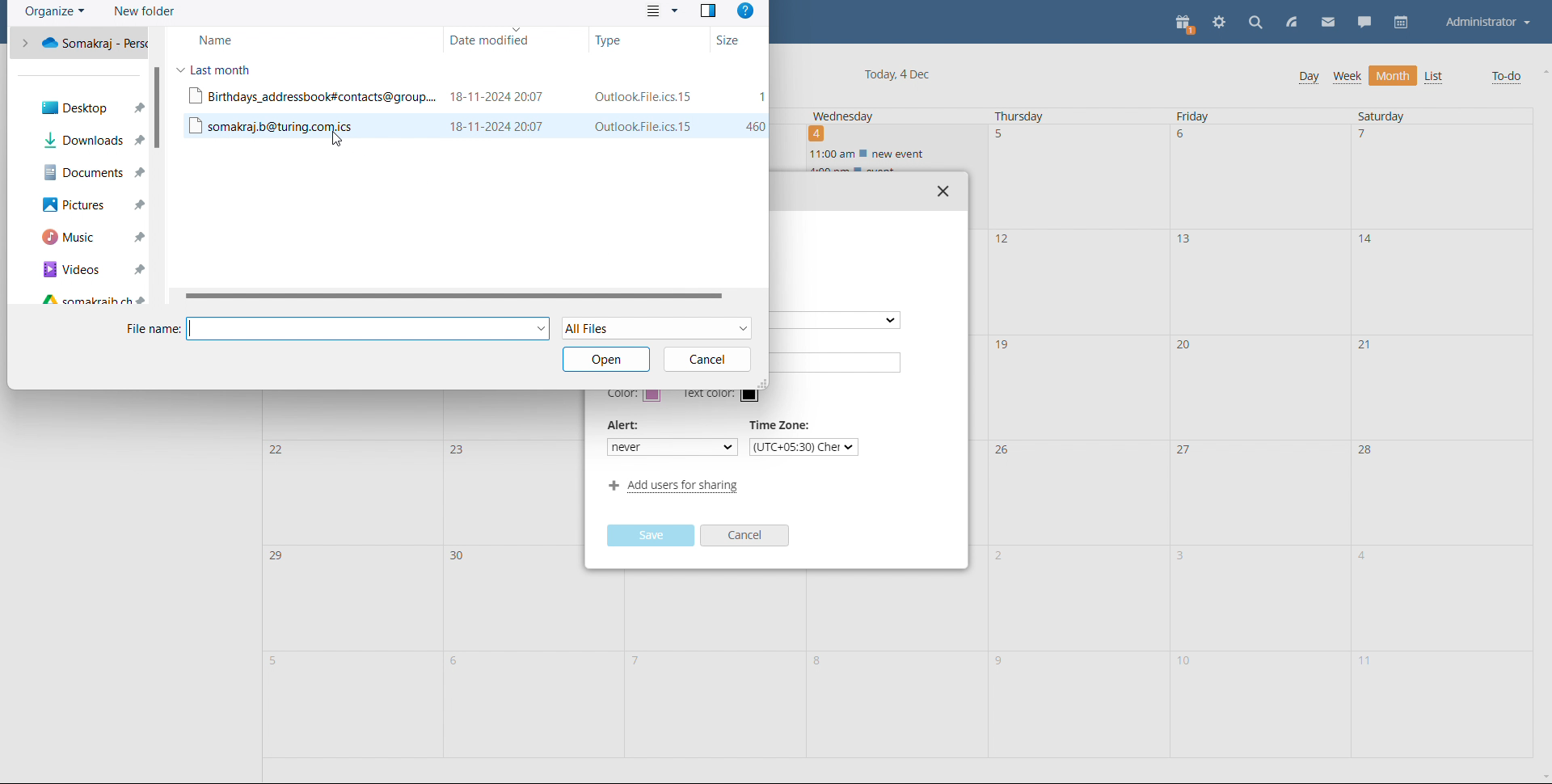 This screenshot has width=1552, height=784. What do you see at coordinates (451, 295) in the screenshot?
I see `horizontal scrollbar` at bounding box center [451, 295].